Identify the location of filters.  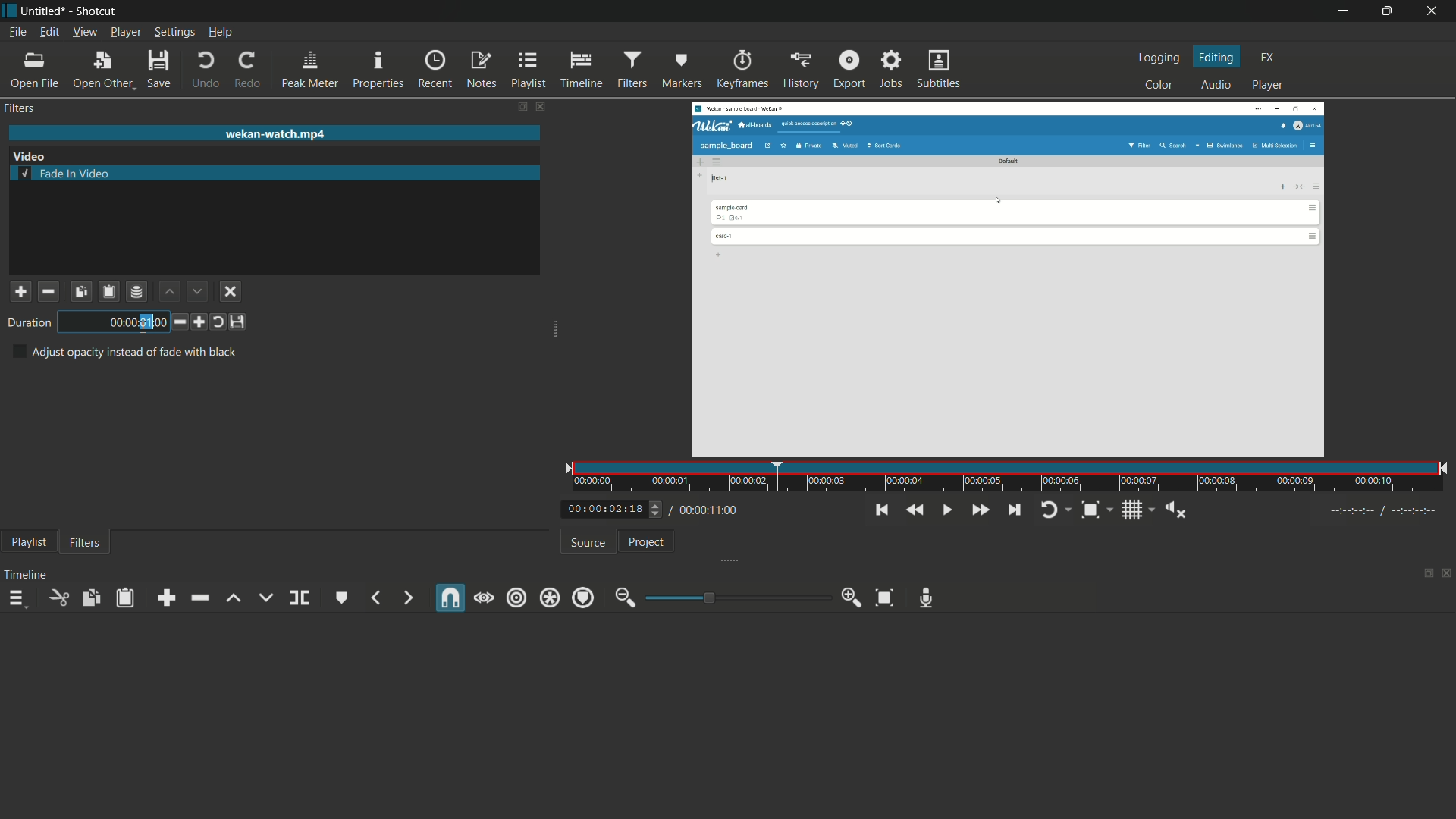
(20, 108).